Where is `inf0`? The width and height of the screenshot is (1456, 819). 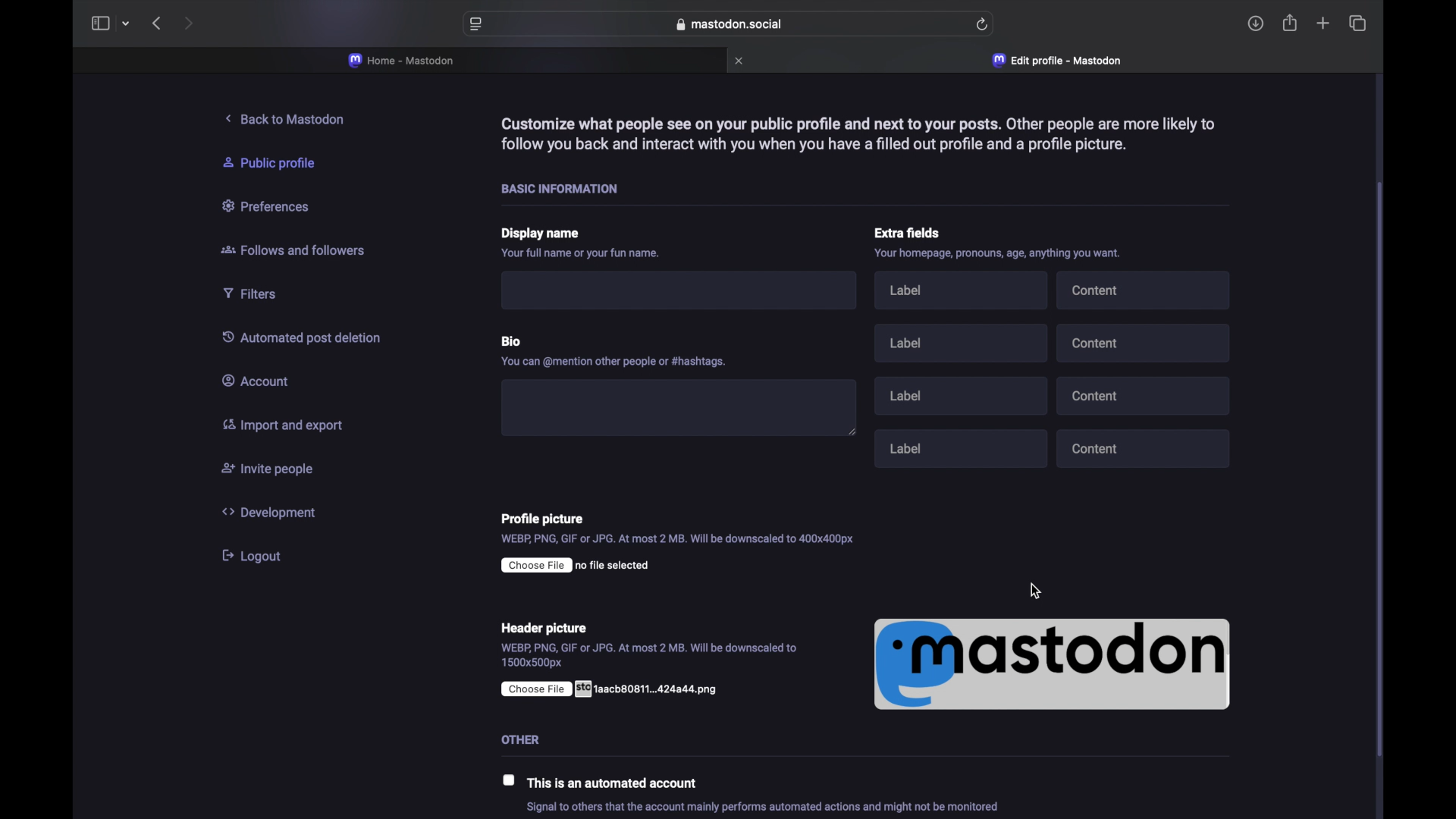
inf0 is located at coordinates (1003, 256).